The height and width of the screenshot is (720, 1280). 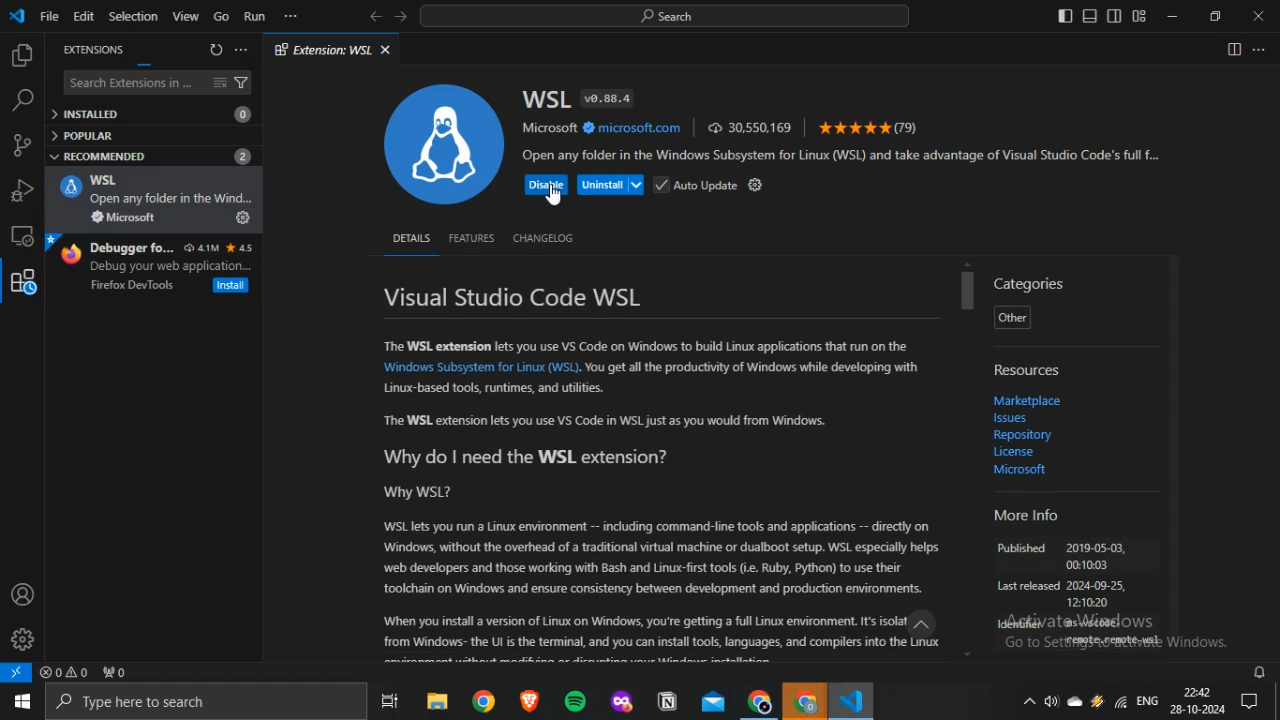 What do you see at coordinates (750, 126) in the screenshot?
I see `30,550,169` at bounding box center [750, 126].